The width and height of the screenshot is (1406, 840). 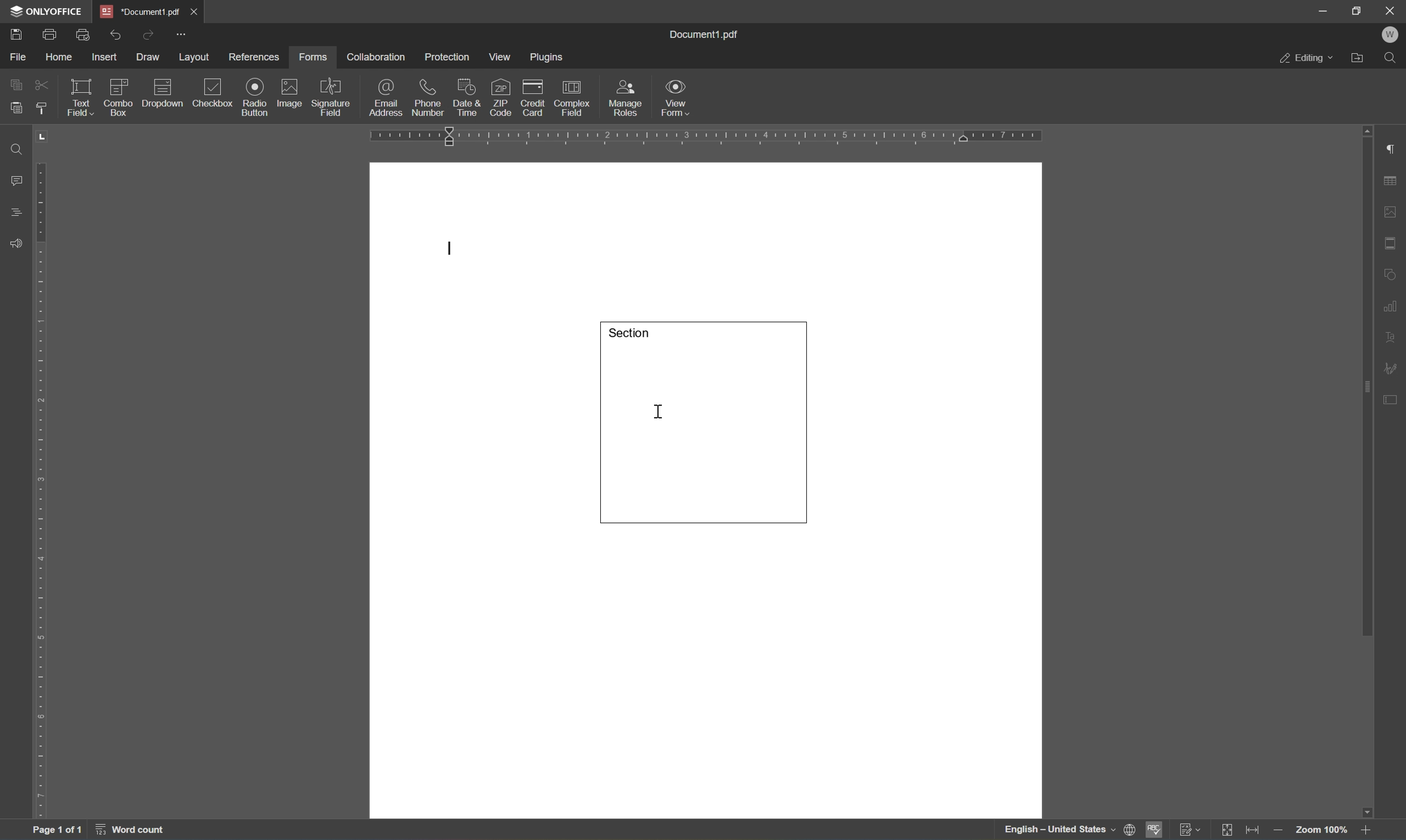 What do you see at coordinates (119, 95) in the screenshot?
I see `combo box` at bounding box center [119, 95].